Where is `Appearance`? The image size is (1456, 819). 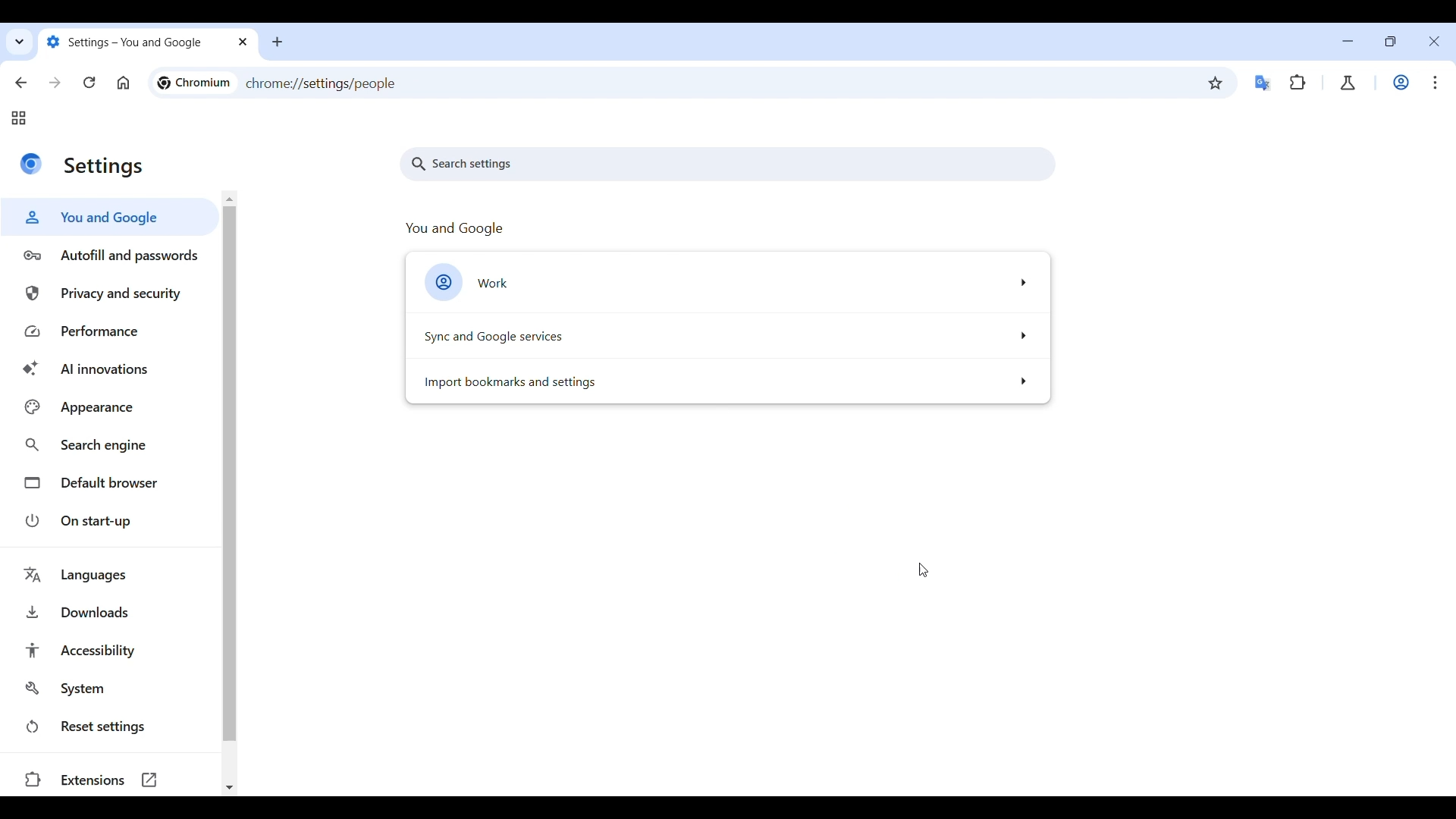 Appearance is located at coordinates (113, 407).